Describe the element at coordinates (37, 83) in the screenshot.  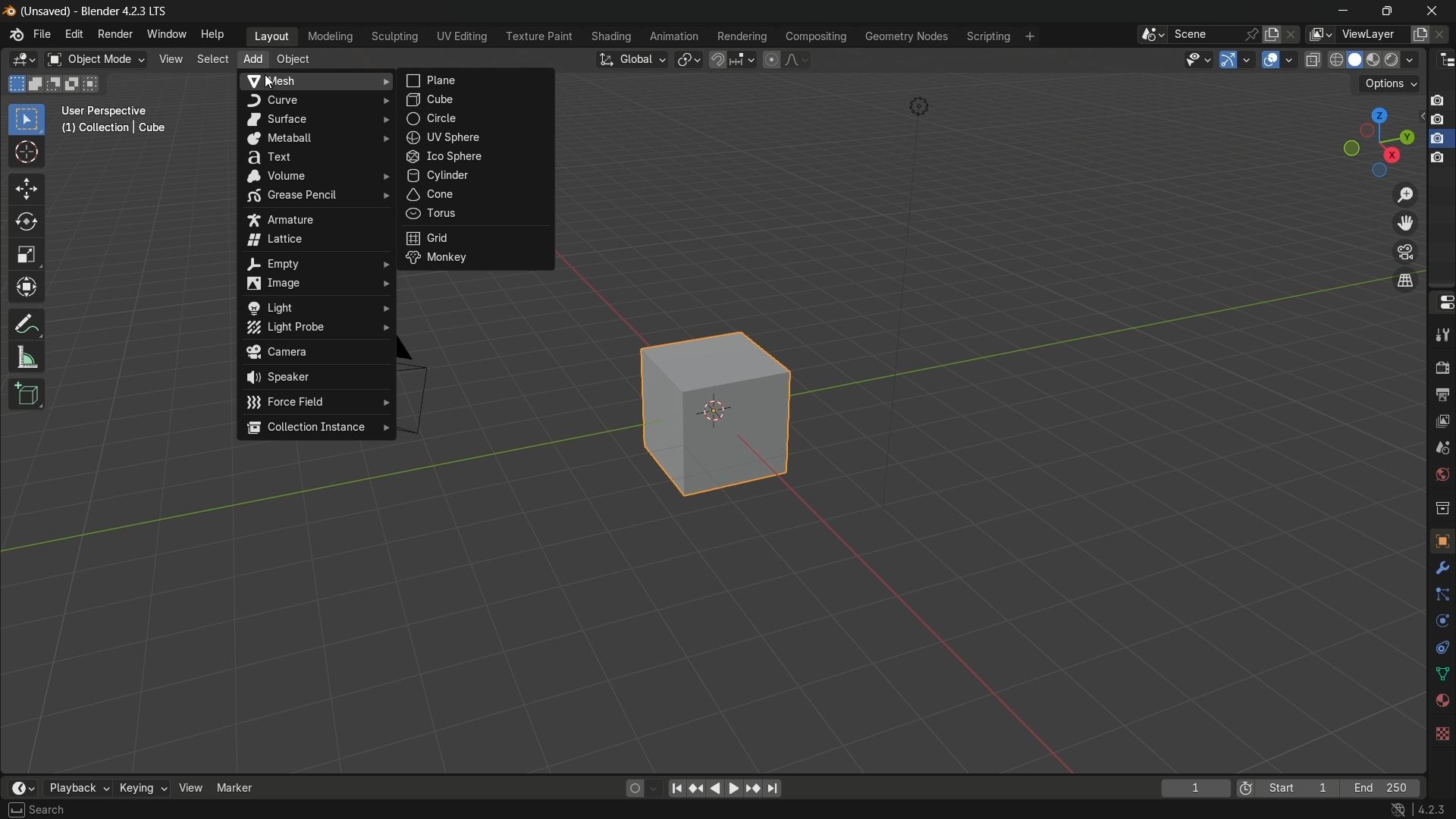
I see `extend existing selection` at that location.